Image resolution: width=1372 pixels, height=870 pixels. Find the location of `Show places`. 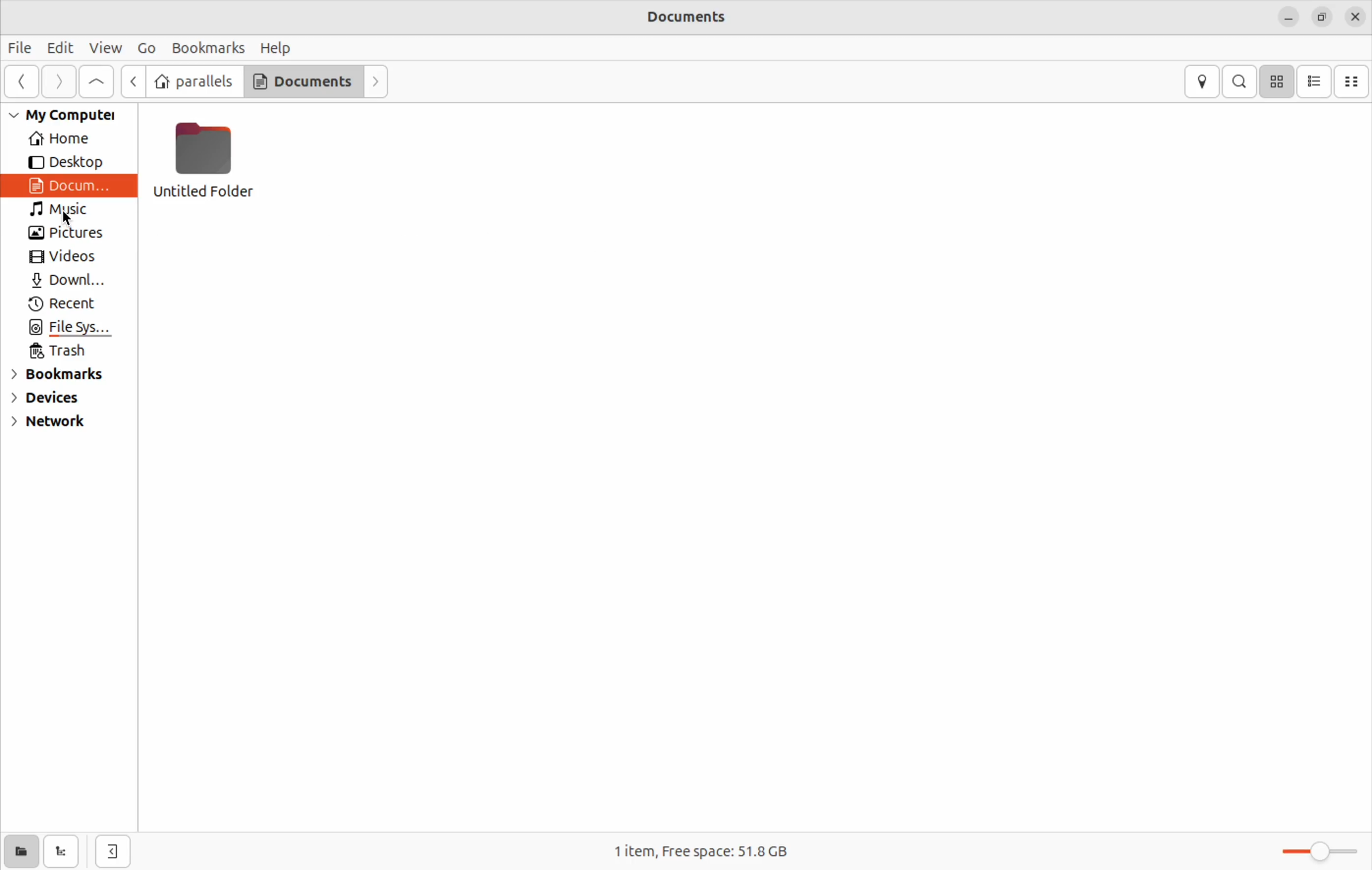

Show places is located at coordinates (19, 852).